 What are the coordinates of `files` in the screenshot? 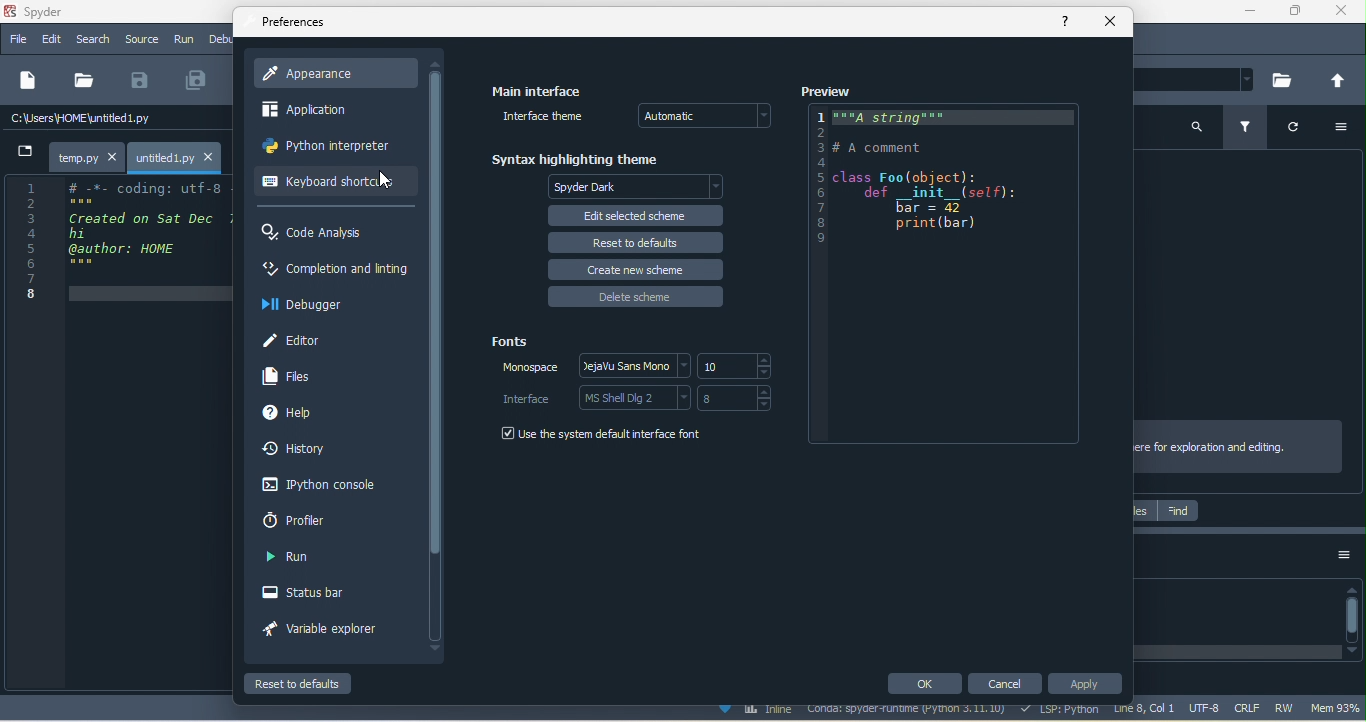 It's located at (1144, 510).